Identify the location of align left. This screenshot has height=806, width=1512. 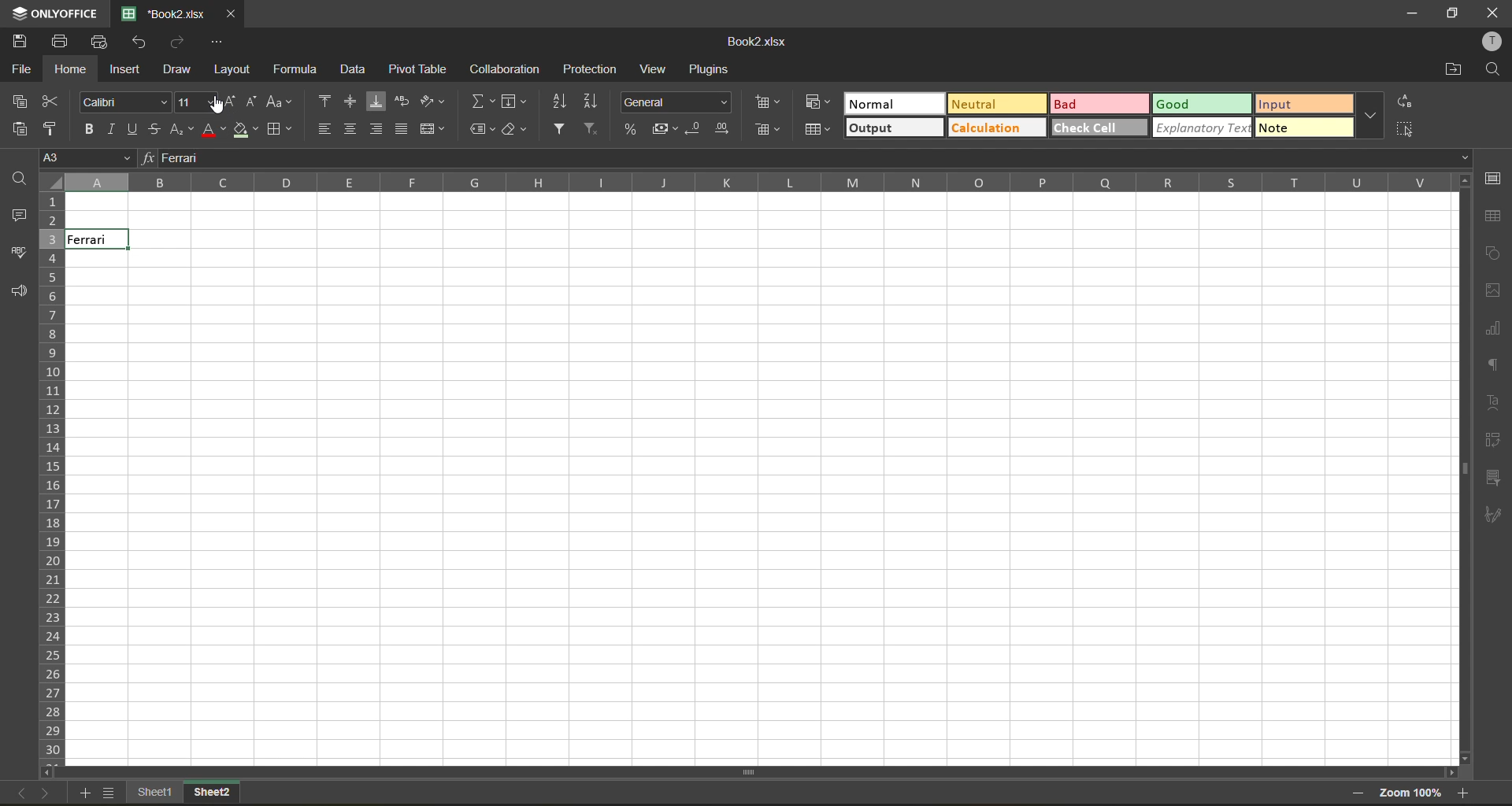
(326, 128).